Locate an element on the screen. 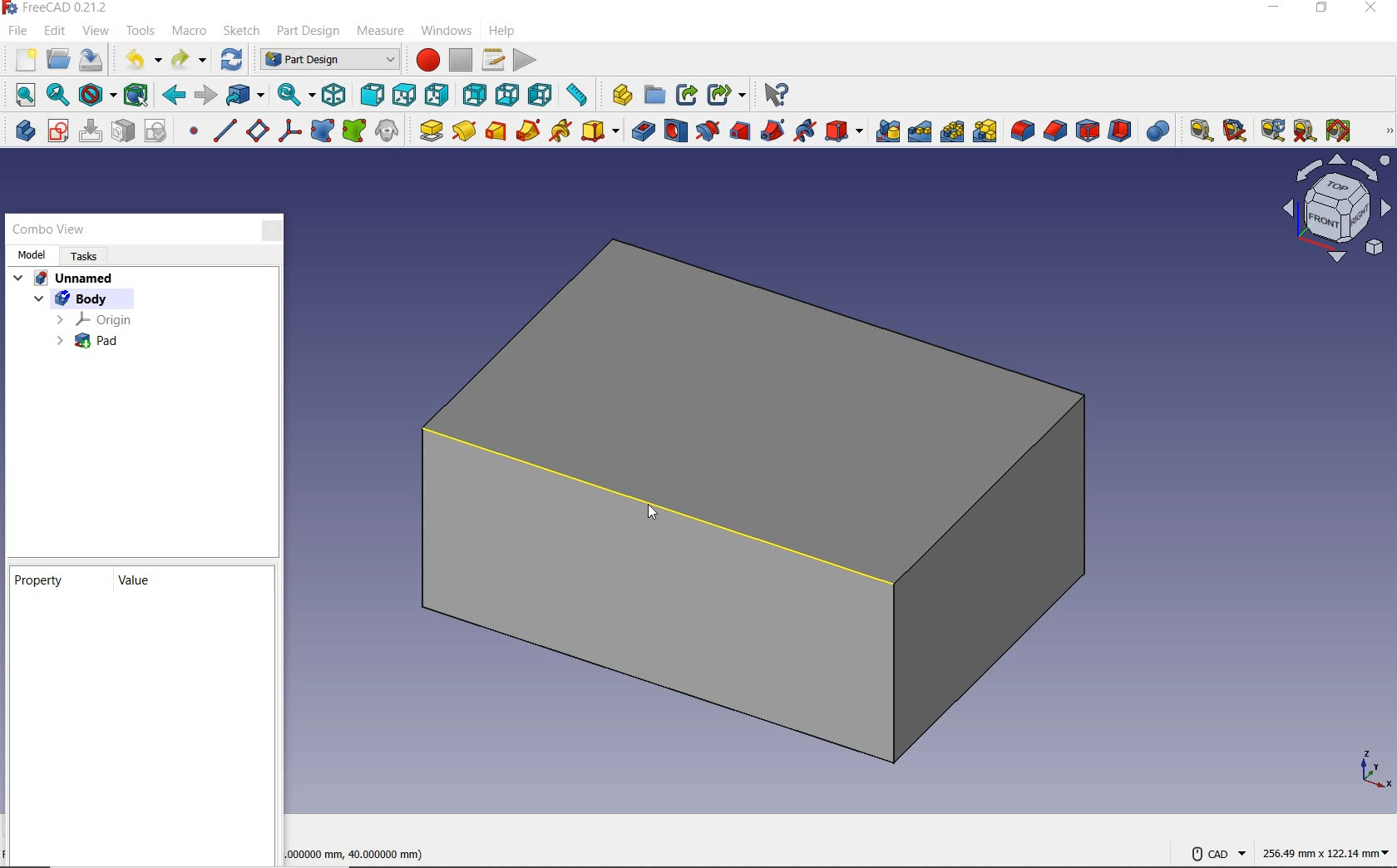 This screenshot has width=1397, height=868. create body is located at coordinates (21, 131).